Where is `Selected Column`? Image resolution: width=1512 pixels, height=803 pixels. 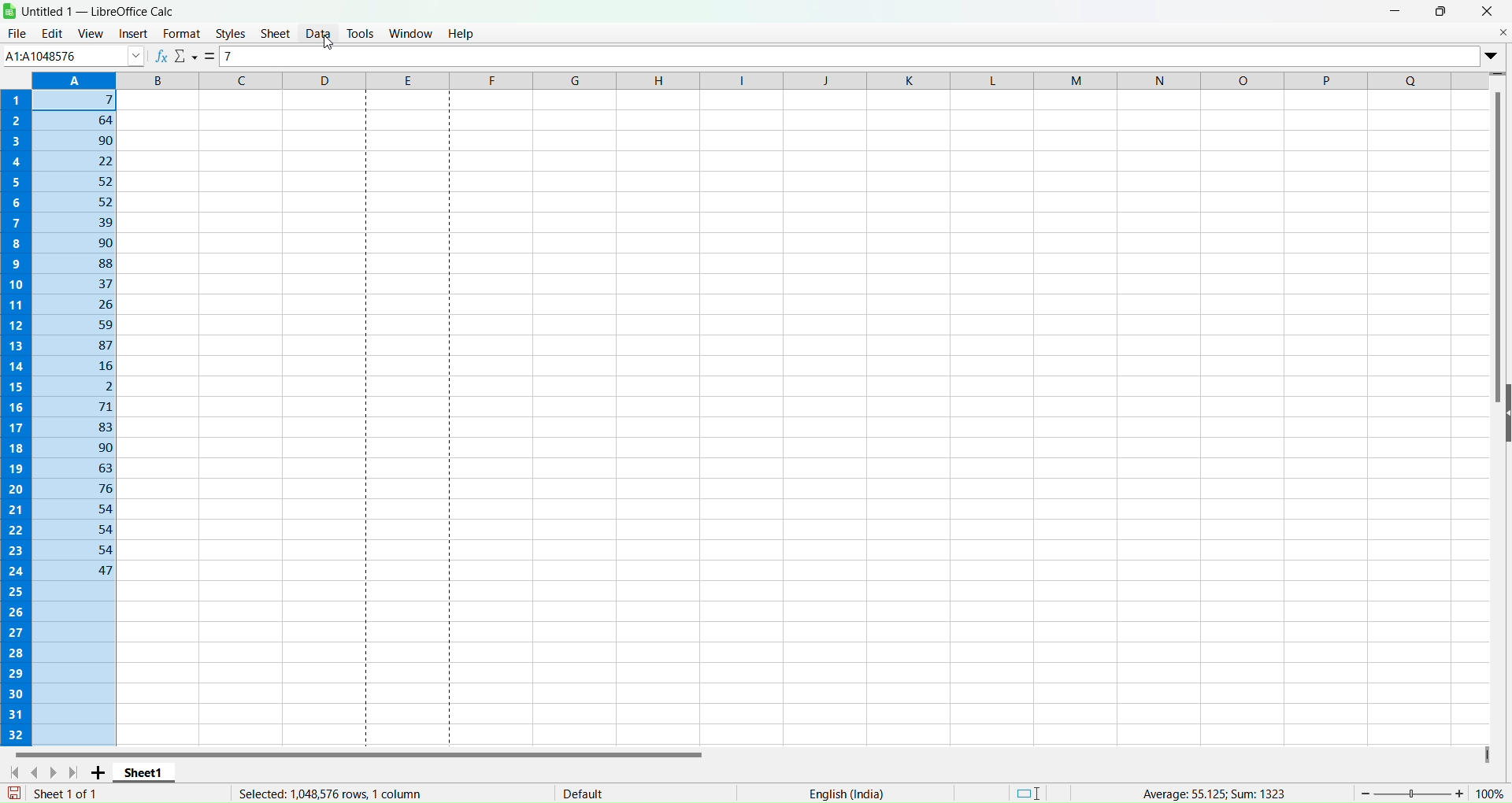 Selected Column is located at coordinates (70, 416).